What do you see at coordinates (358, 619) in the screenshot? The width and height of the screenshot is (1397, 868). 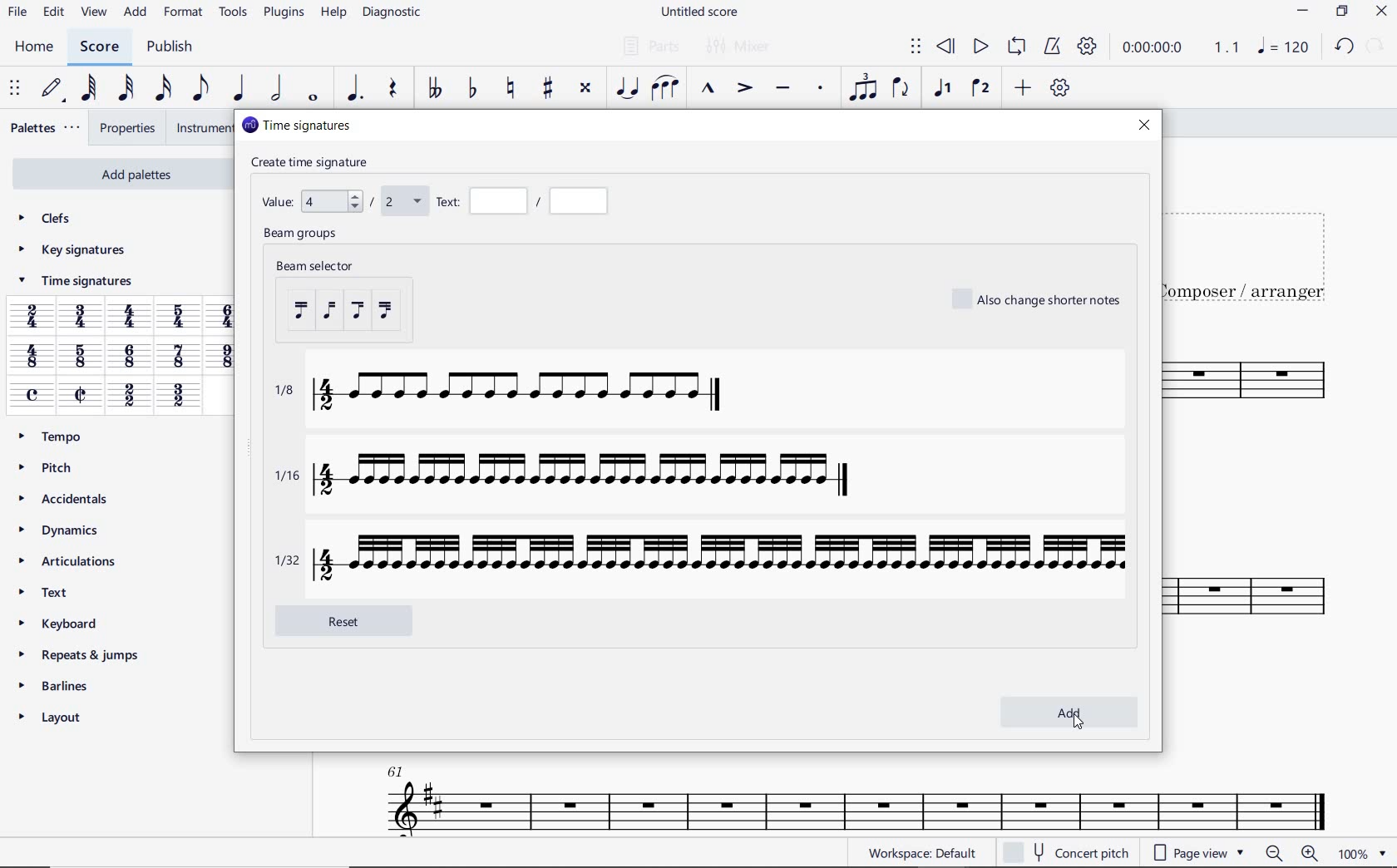 I see `reset` at bounding box center [358, 619].